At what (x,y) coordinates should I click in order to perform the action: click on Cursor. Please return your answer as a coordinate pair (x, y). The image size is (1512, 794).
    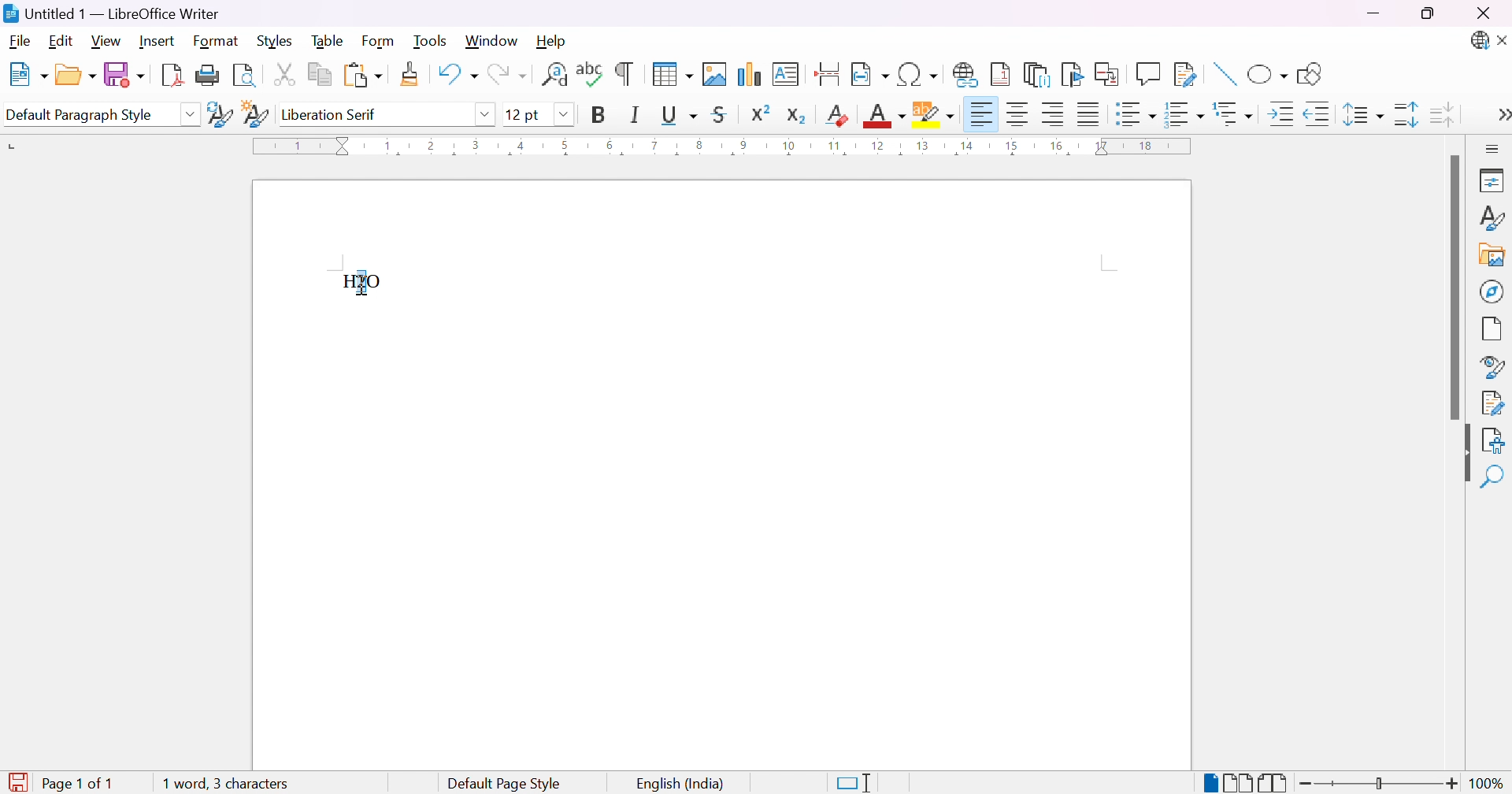
    Looking at the image, I should click on (363, 281).